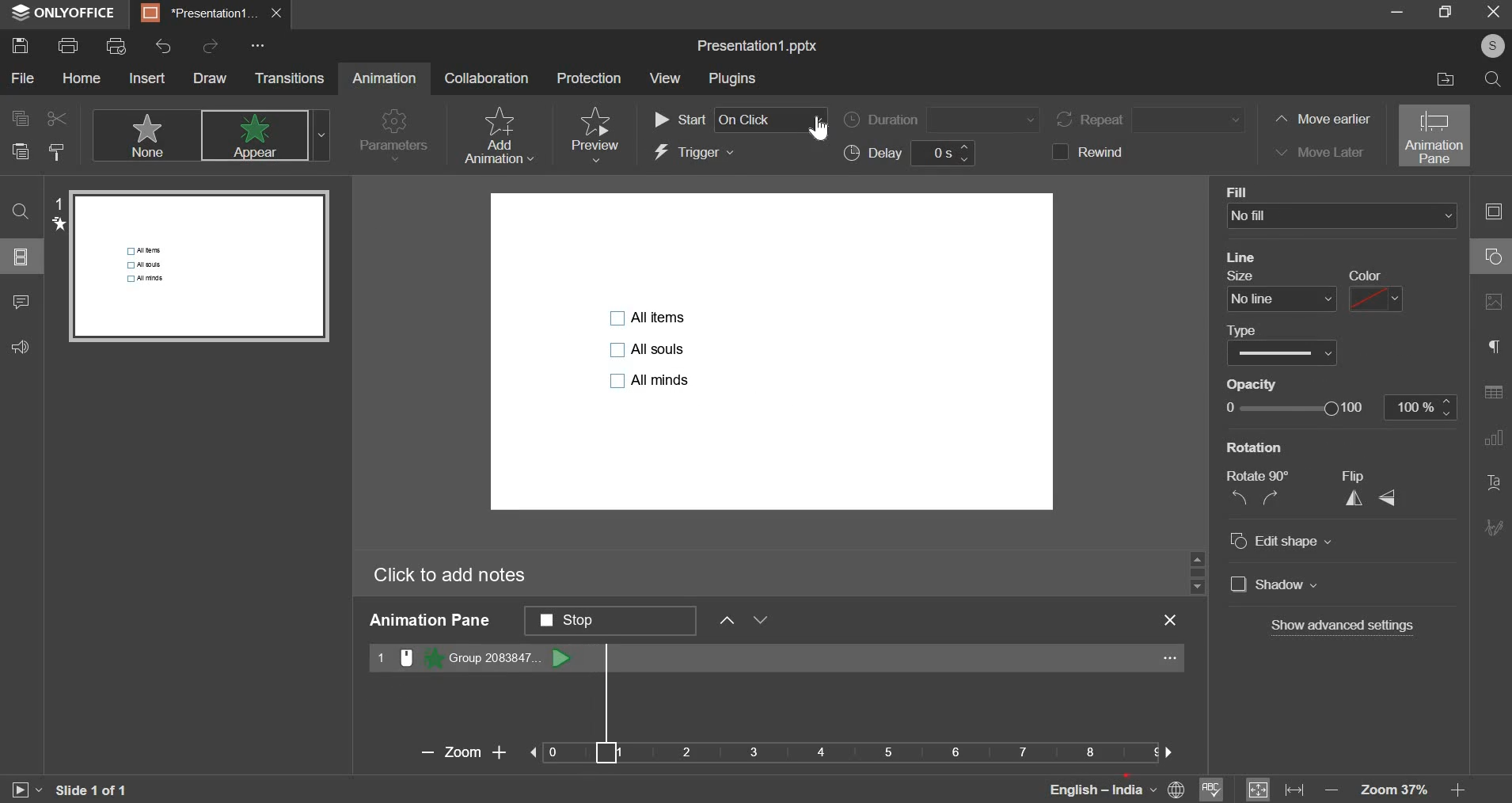 This screenshot has height=803, width=1512. Describe the element at coordinates (695, 154) in the screenshot. I see `trigger` at that location.